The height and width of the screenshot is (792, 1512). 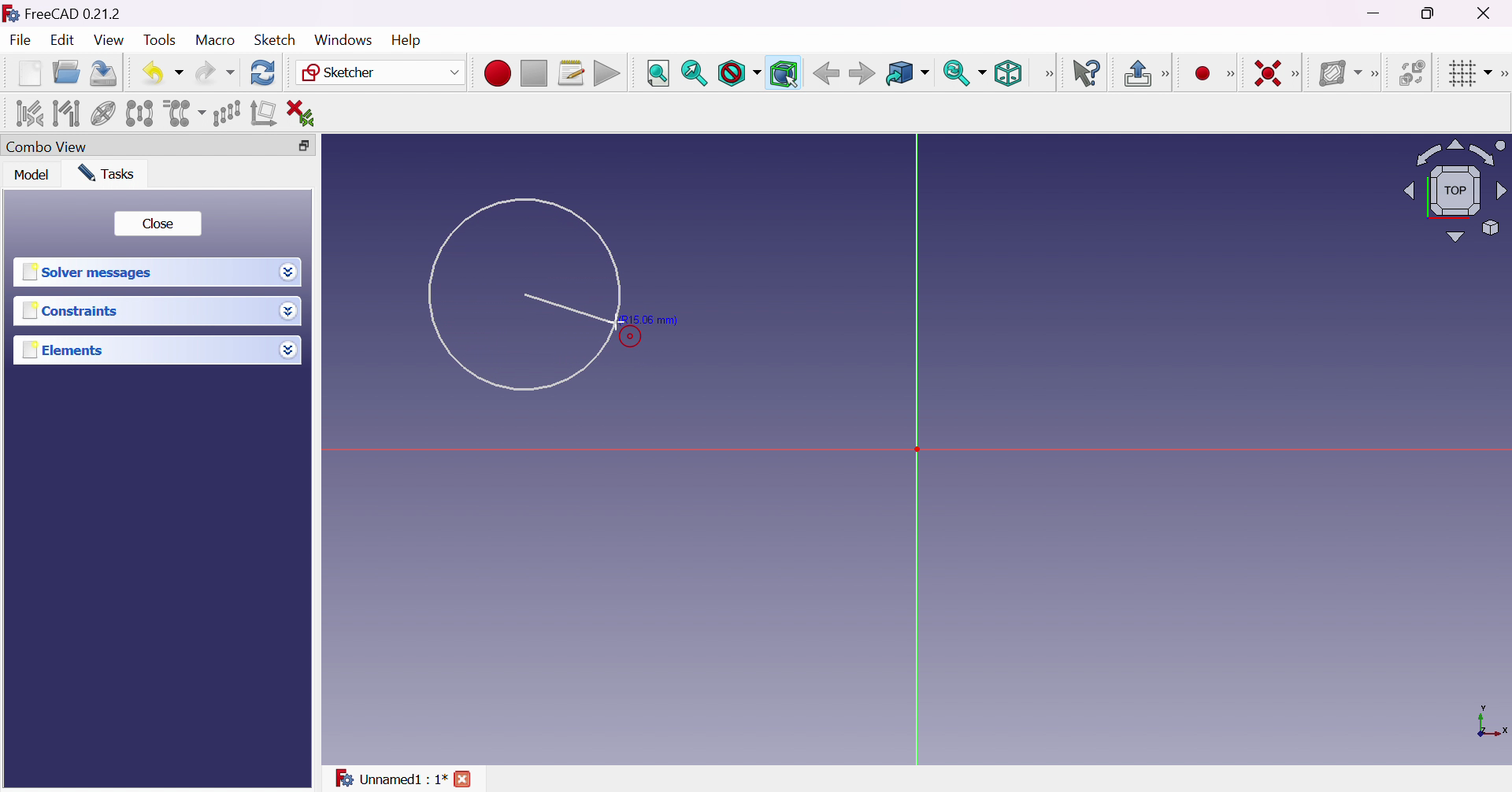 What do you see at coordinates (22, 42) in the screenshot?
I see `File` at bounding box center [22, 42].